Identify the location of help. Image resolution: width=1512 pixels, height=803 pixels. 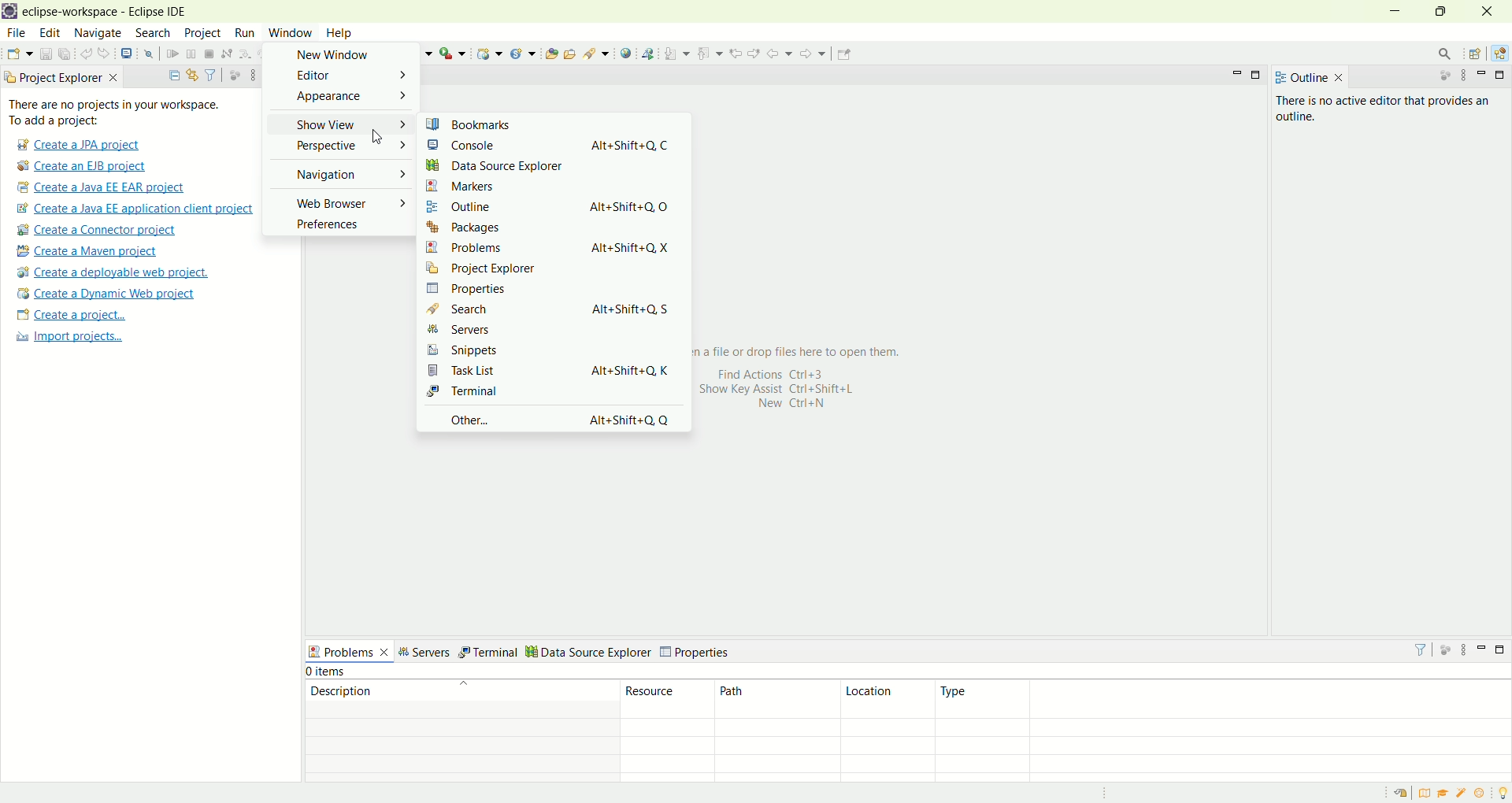
(336, 33).